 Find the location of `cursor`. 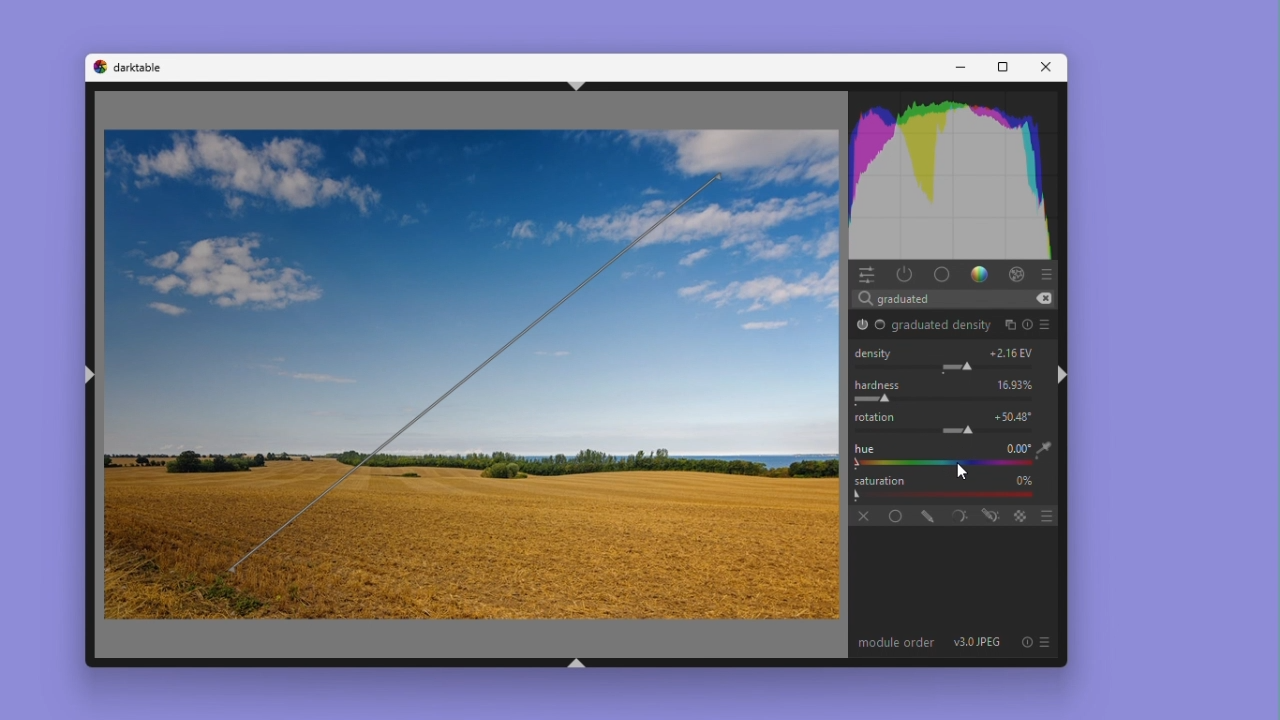

cursor is located at coordinates (968, 471).